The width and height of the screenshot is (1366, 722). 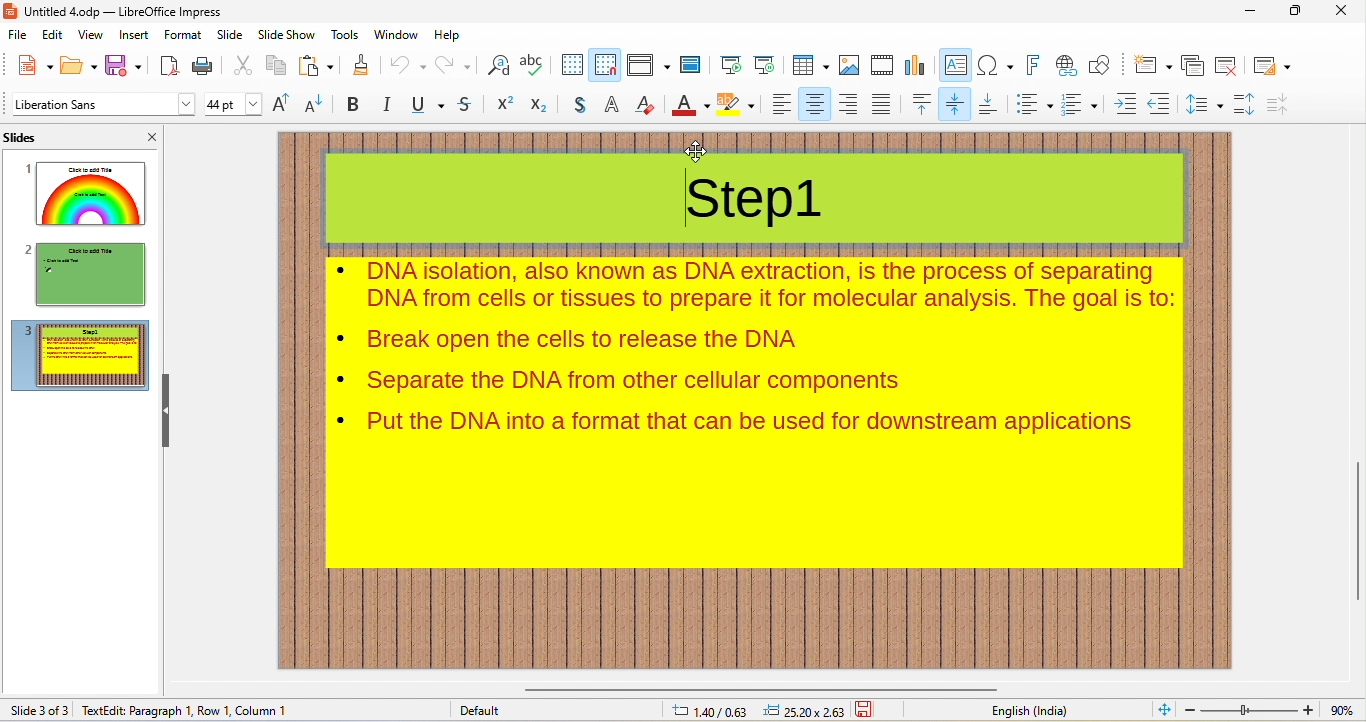 What do you see at coordinates (507, 104) in the screenshot?
I see `superscript` at bounding box center [507, 104].